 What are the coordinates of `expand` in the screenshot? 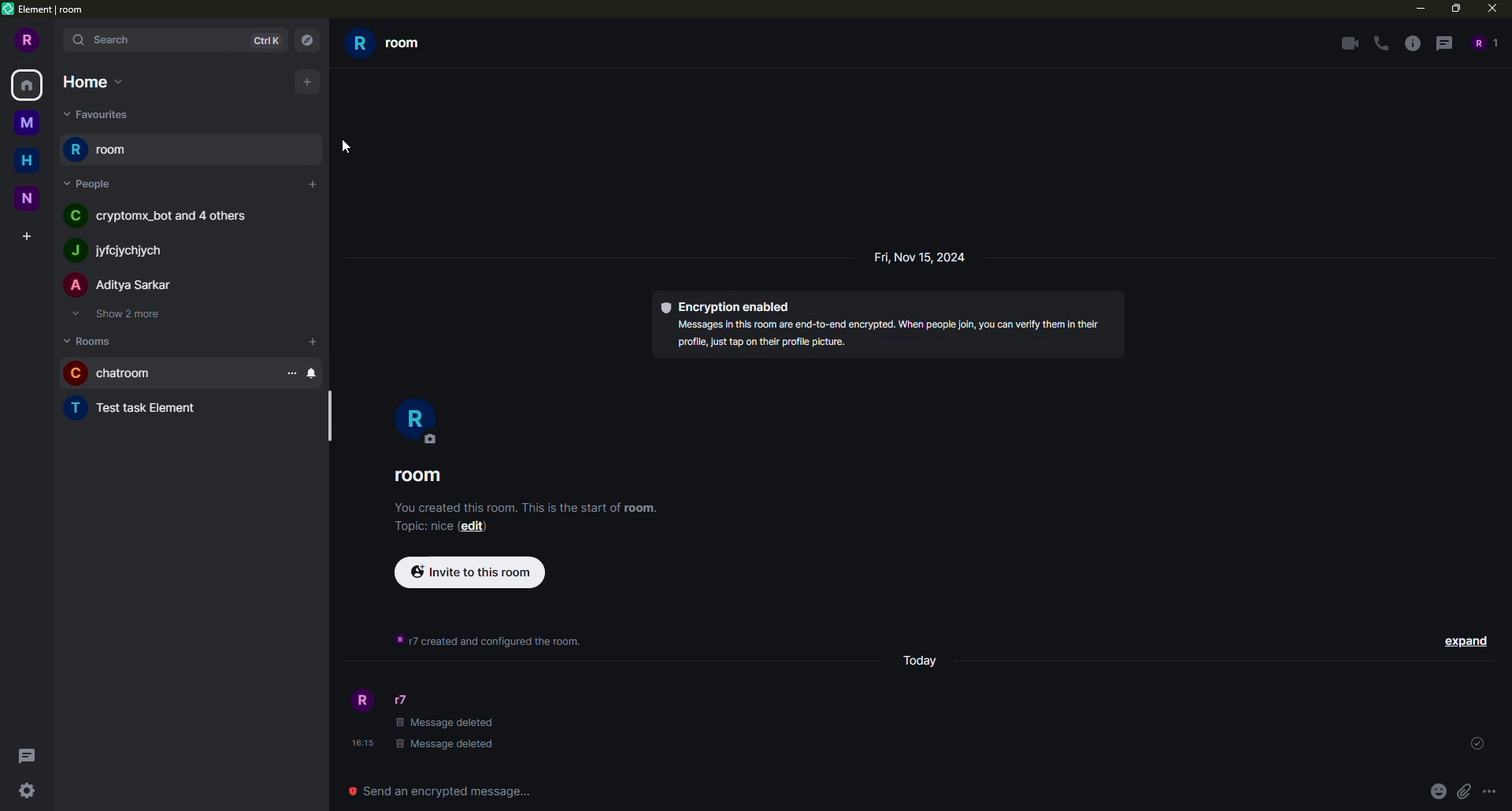 It's located at (1463, 640).